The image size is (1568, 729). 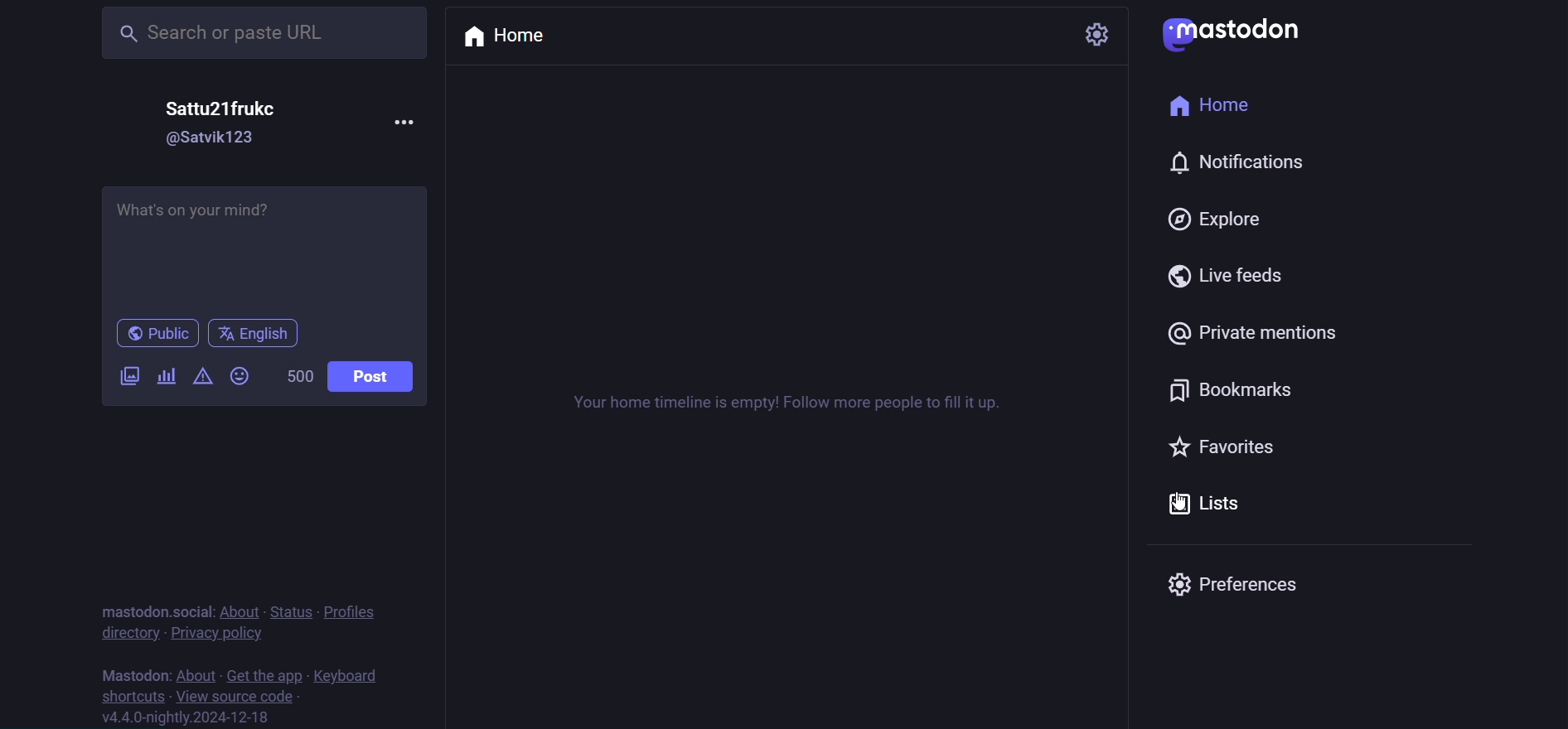 What do you see at coordinates (1219, 444) in the screenshot?
I see `favorites` at bounding box center [1219, 444].